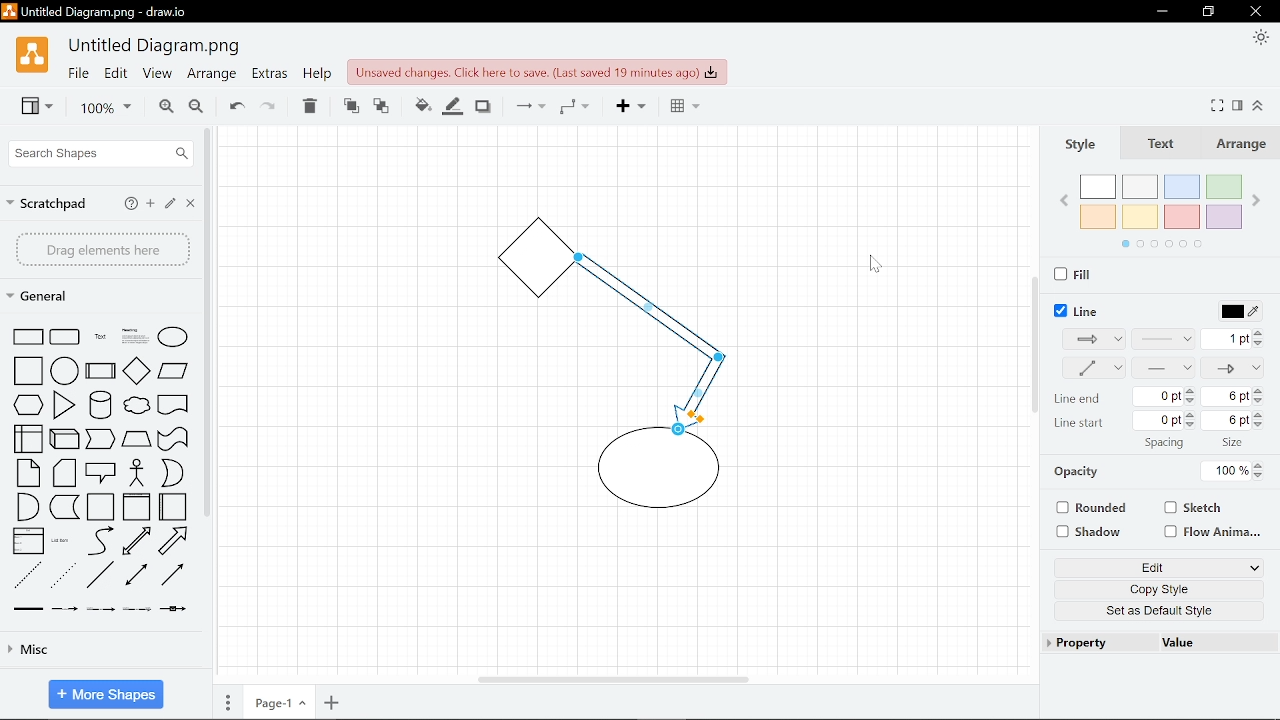  Describe the element at coordinates (1076, 272) in the screenshot. I see `fill` at that location.